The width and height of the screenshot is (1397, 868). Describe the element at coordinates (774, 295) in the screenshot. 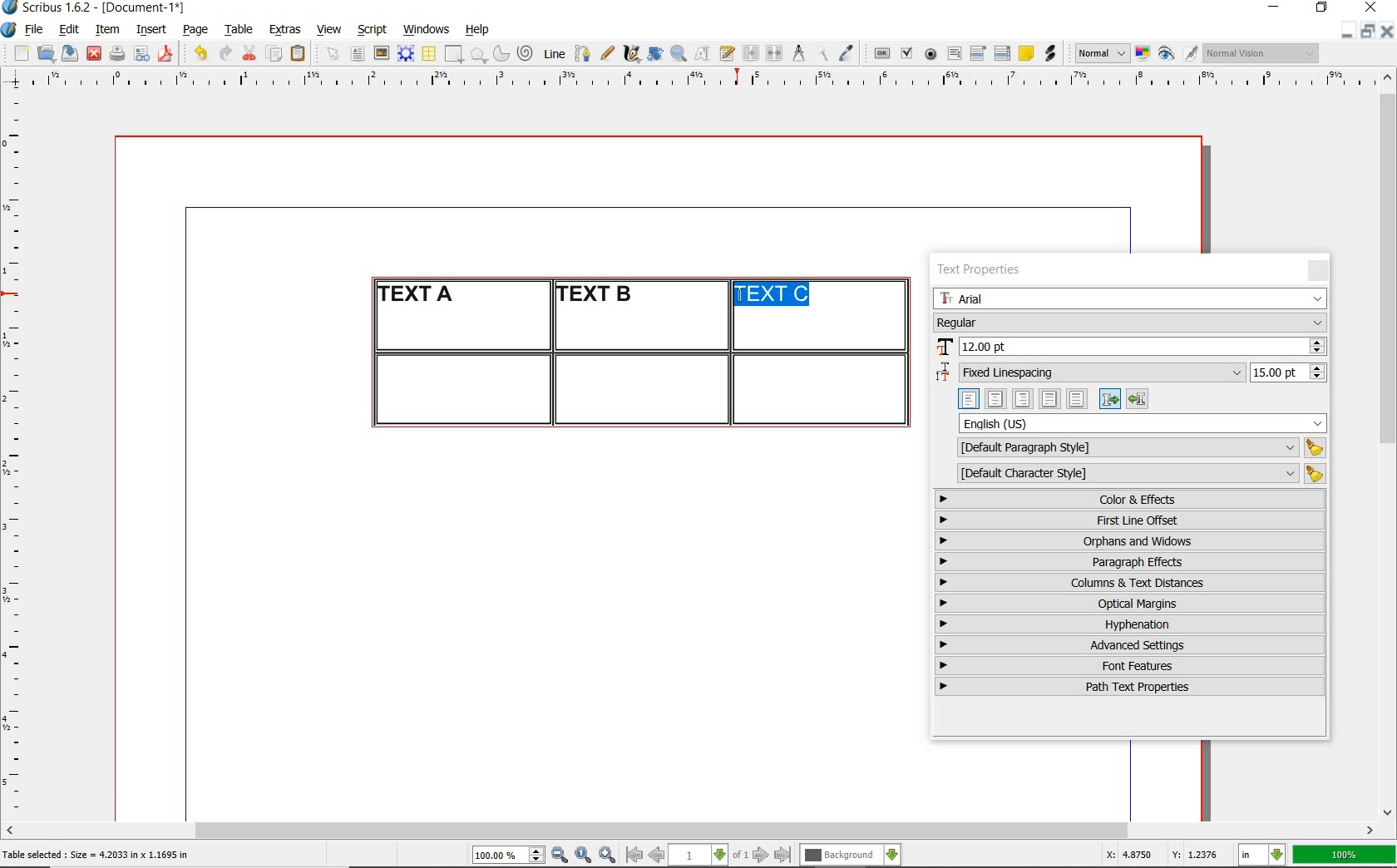

I see `text highlighted` at that location.